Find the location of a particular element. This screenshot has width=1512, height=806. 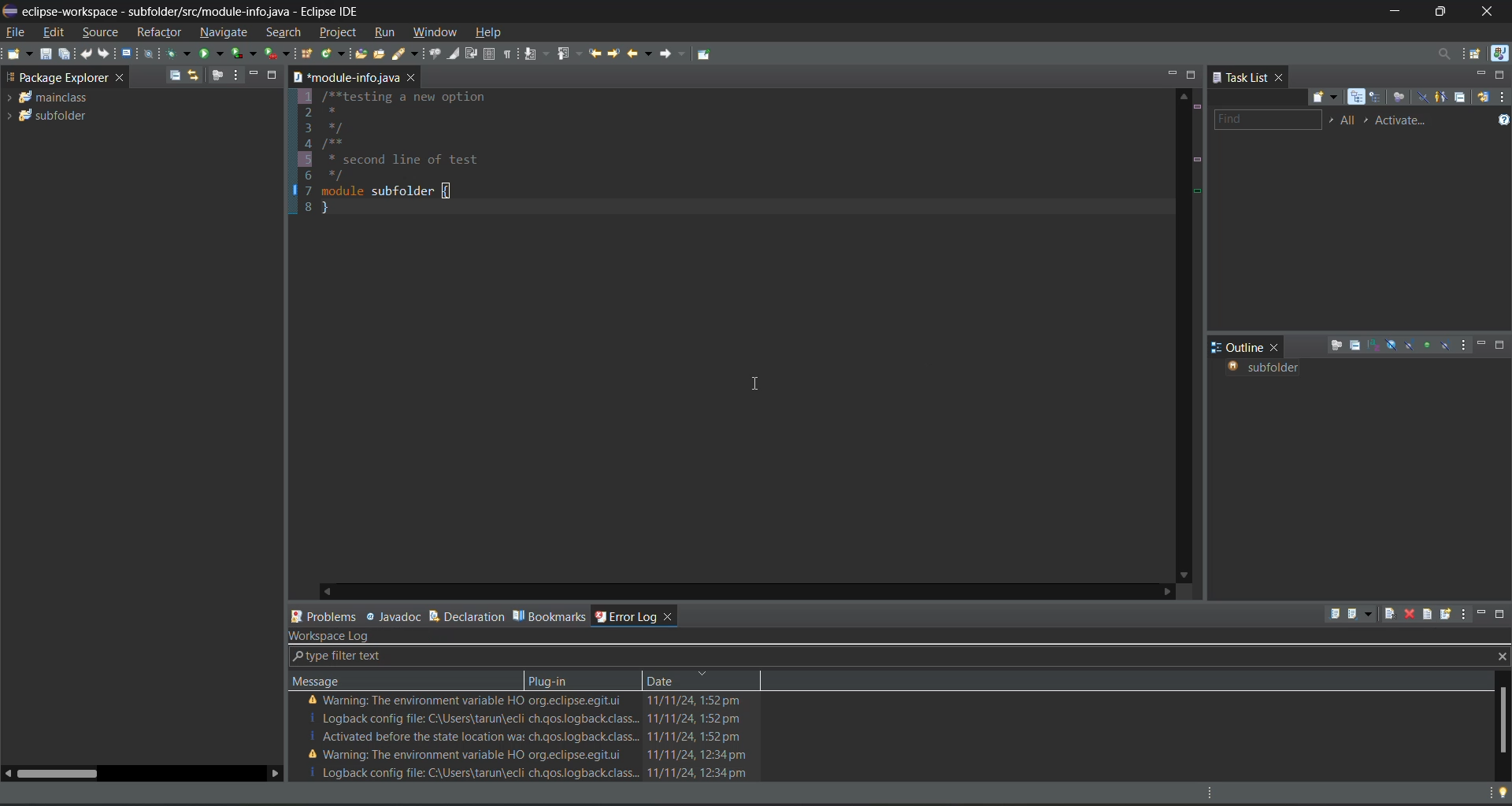

task list is located at coordinates (1239, 76).